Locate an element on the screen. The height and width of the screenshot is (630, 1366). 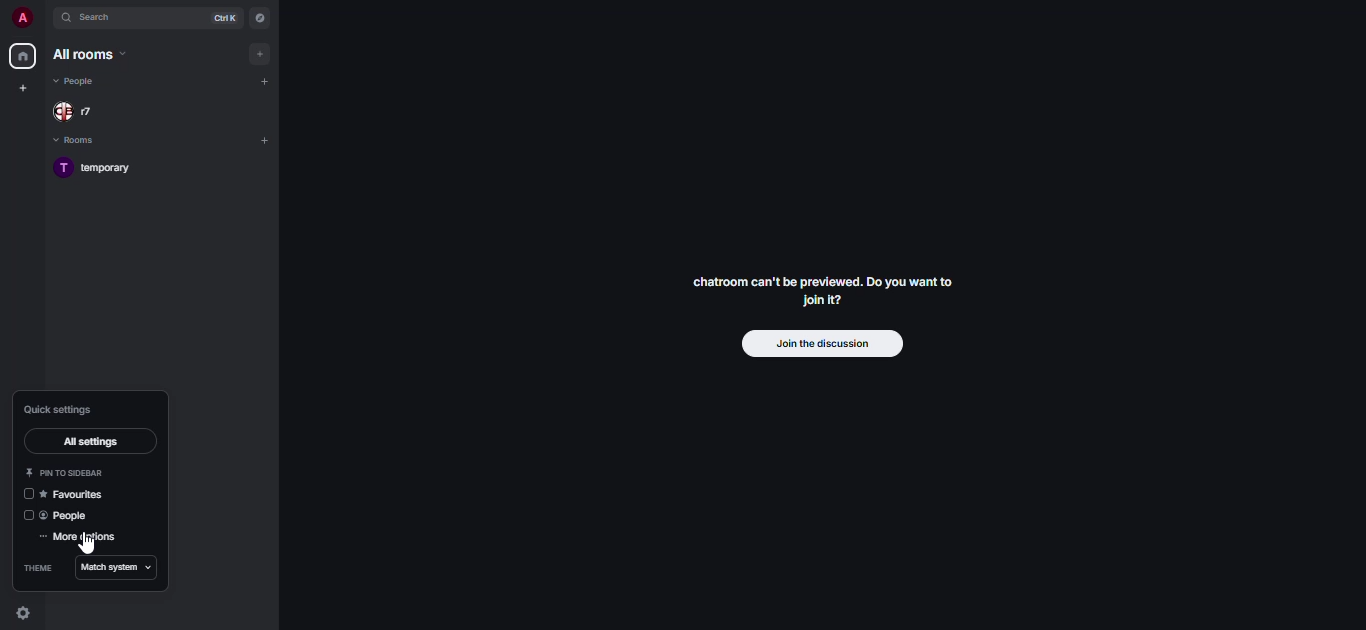
add is located at coordinates (267, 82).